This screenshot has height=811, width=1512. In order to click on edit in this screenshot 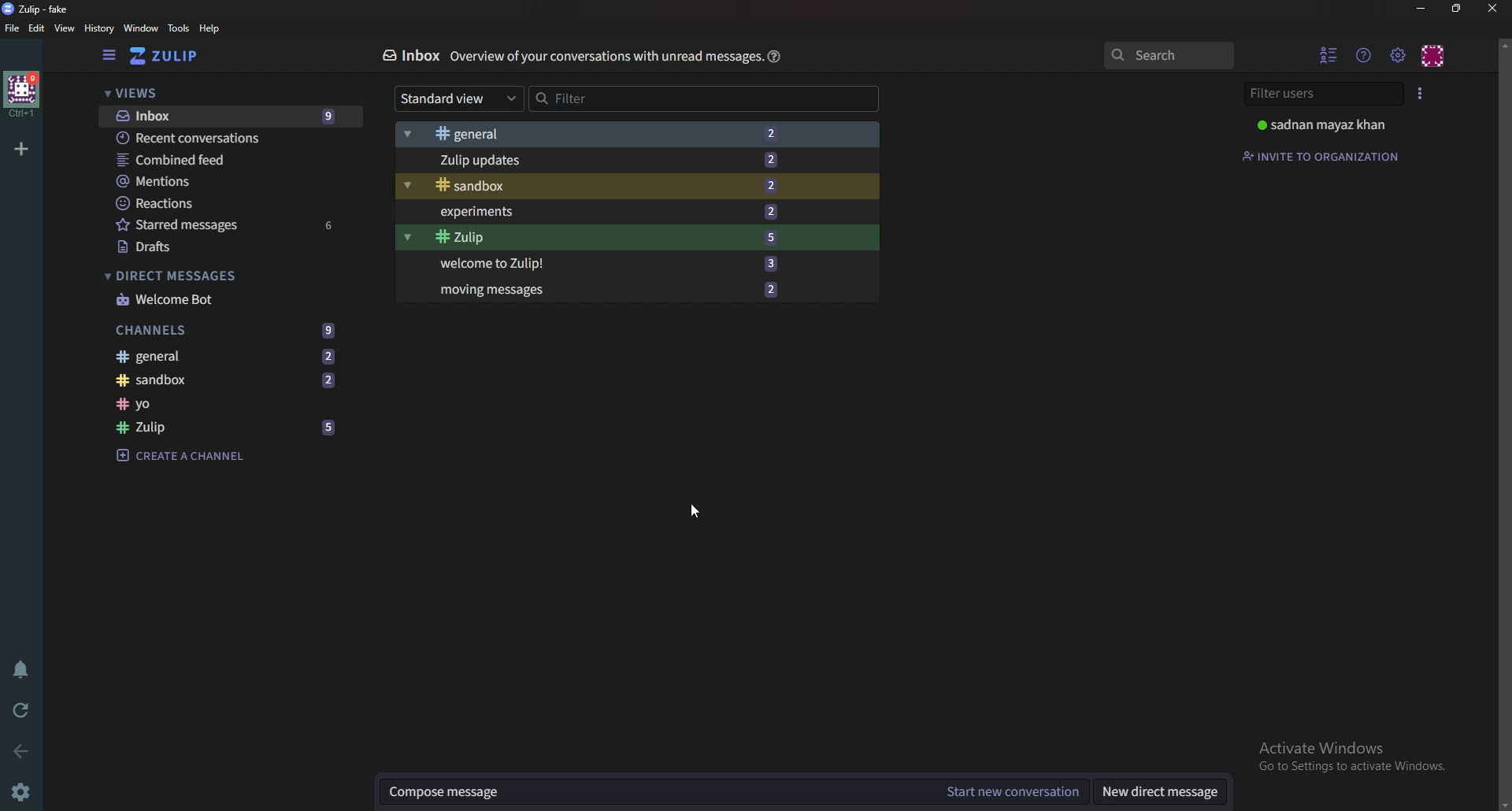, I will do `click(37, 28)`.